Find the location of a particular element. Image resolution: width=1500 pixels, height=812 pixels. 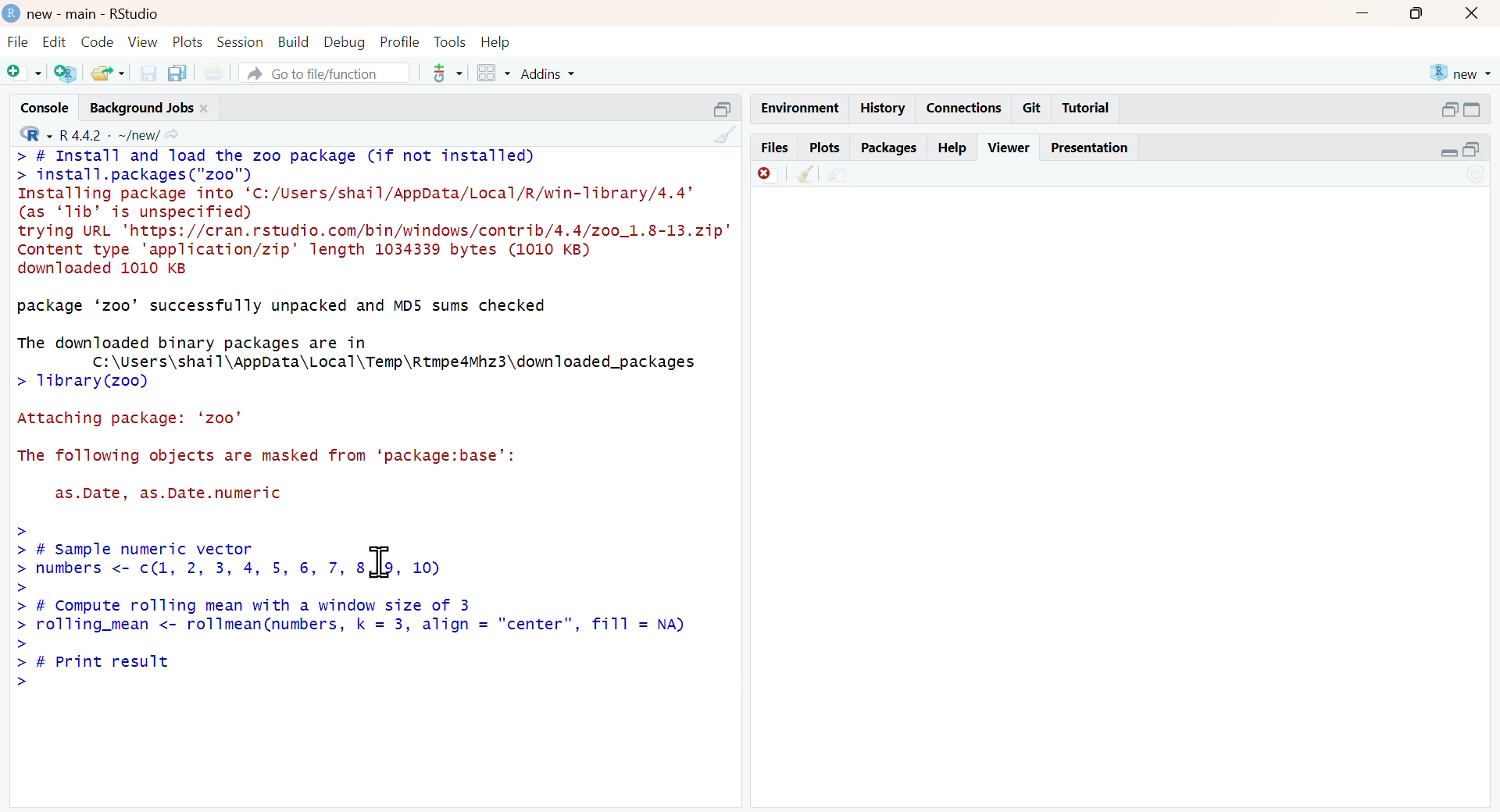

git is located at coordinates (1033, 108).